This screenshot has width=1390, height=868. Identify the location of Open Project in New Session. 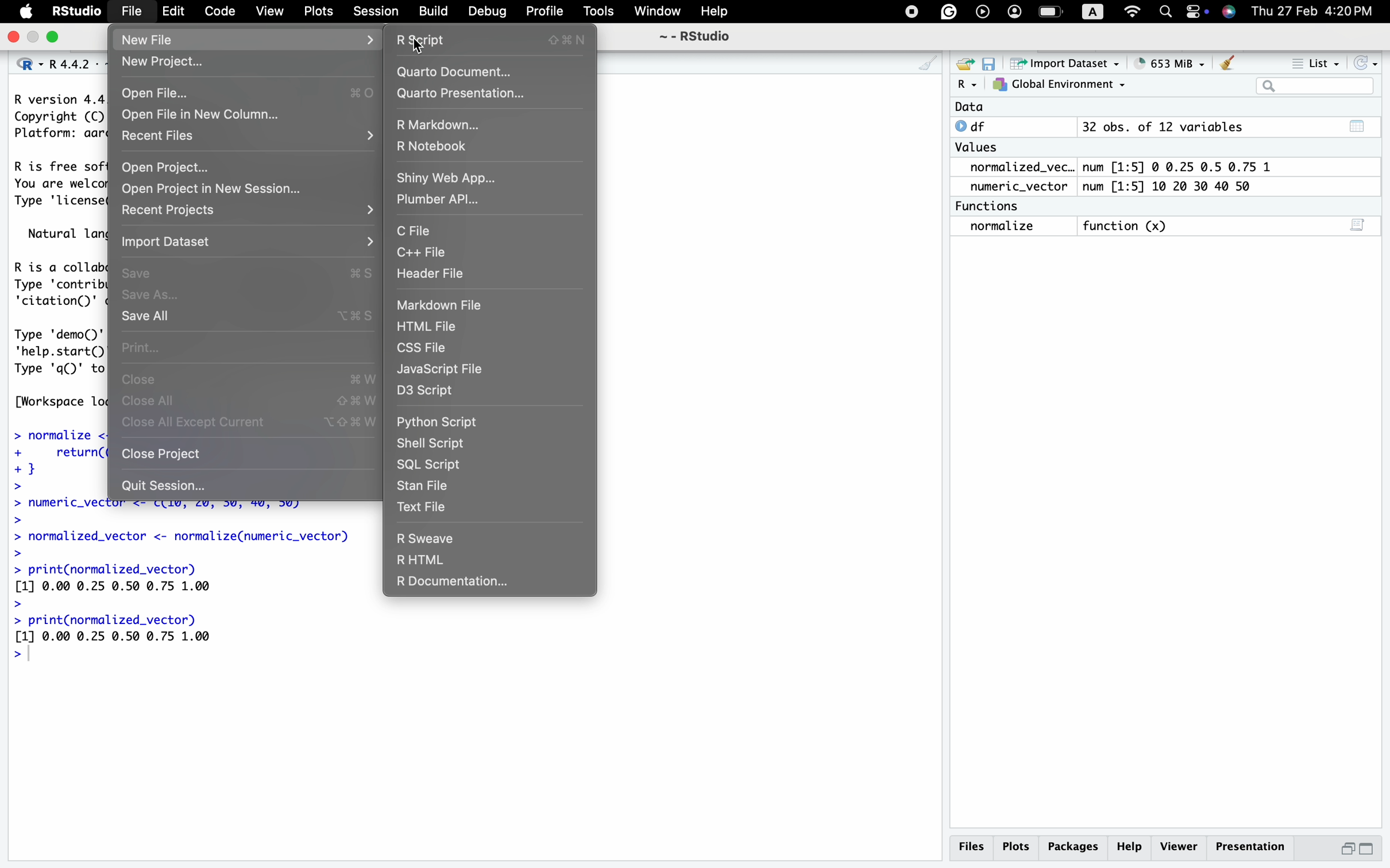
(215, 191).